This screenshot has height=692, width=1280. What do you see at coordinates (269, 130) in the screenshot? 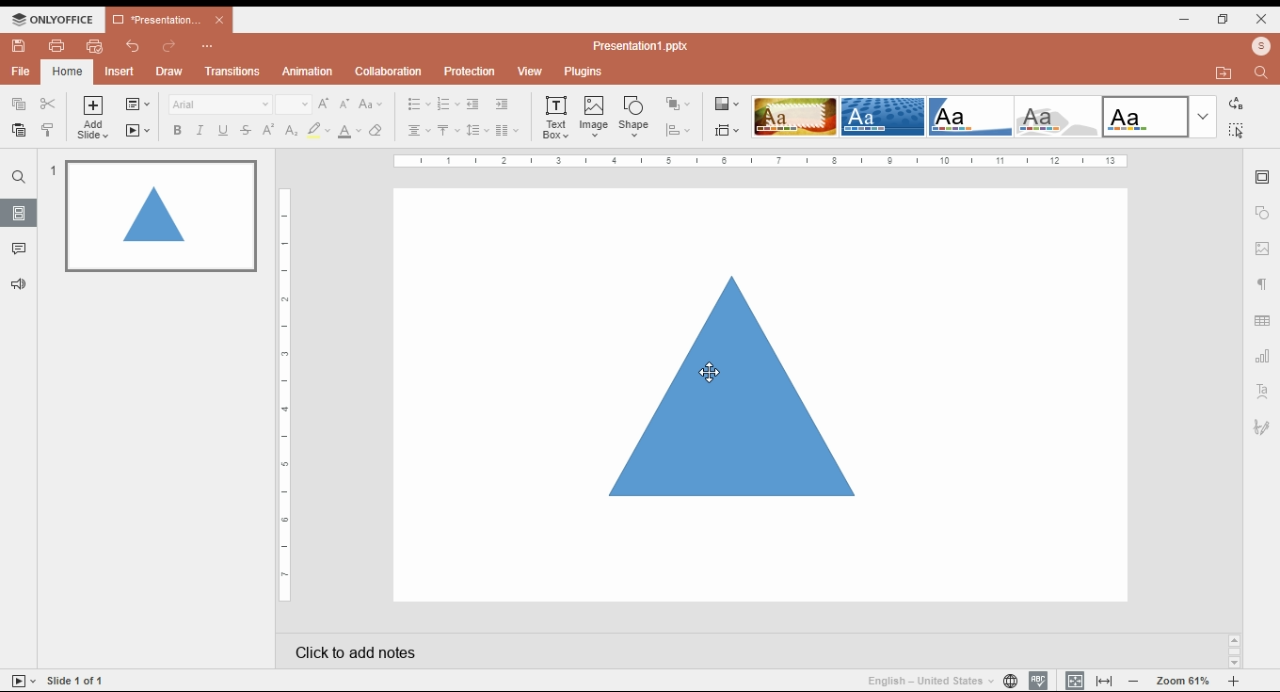
I see `superscript` at bounding box center [269, 130].